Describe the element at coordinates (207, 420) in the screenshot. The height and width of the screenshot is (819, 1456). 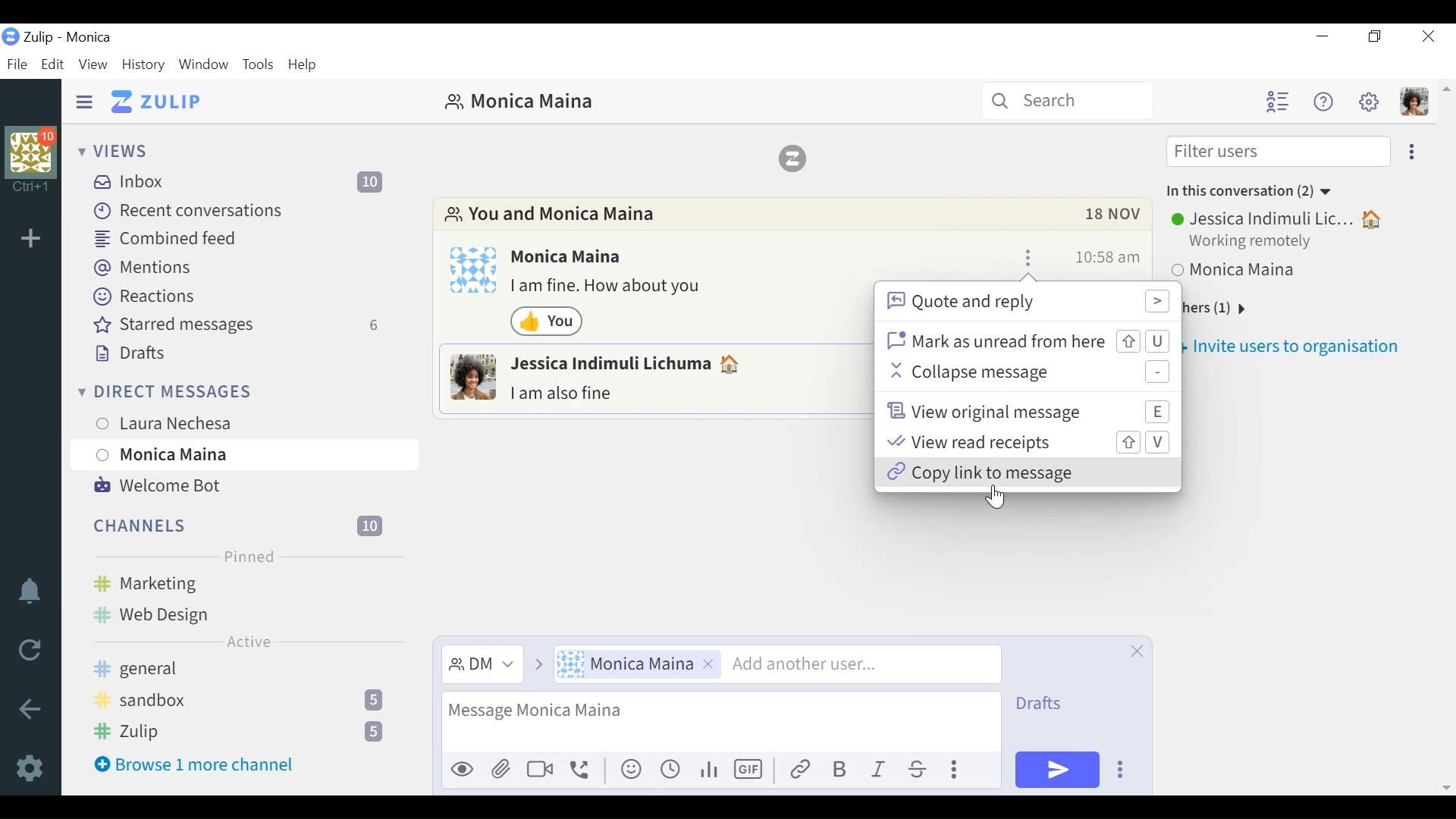
I see `Laura Nechesa` at that location.